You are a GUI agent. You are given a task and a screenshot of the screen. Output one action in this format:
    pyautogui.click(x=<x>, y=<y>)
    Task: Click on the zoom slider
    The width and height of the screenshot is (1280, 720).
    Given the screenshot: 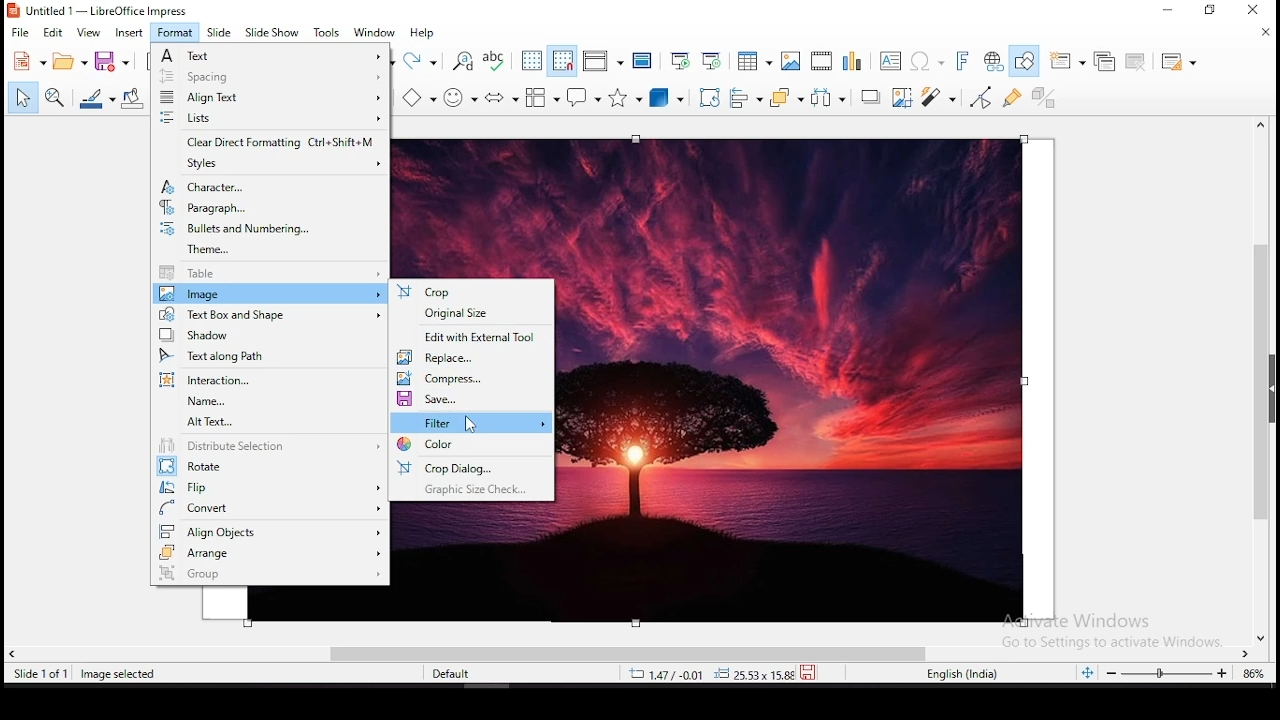 What is the action you would take?
    pyautogui.click(x=1167, y=674)
    